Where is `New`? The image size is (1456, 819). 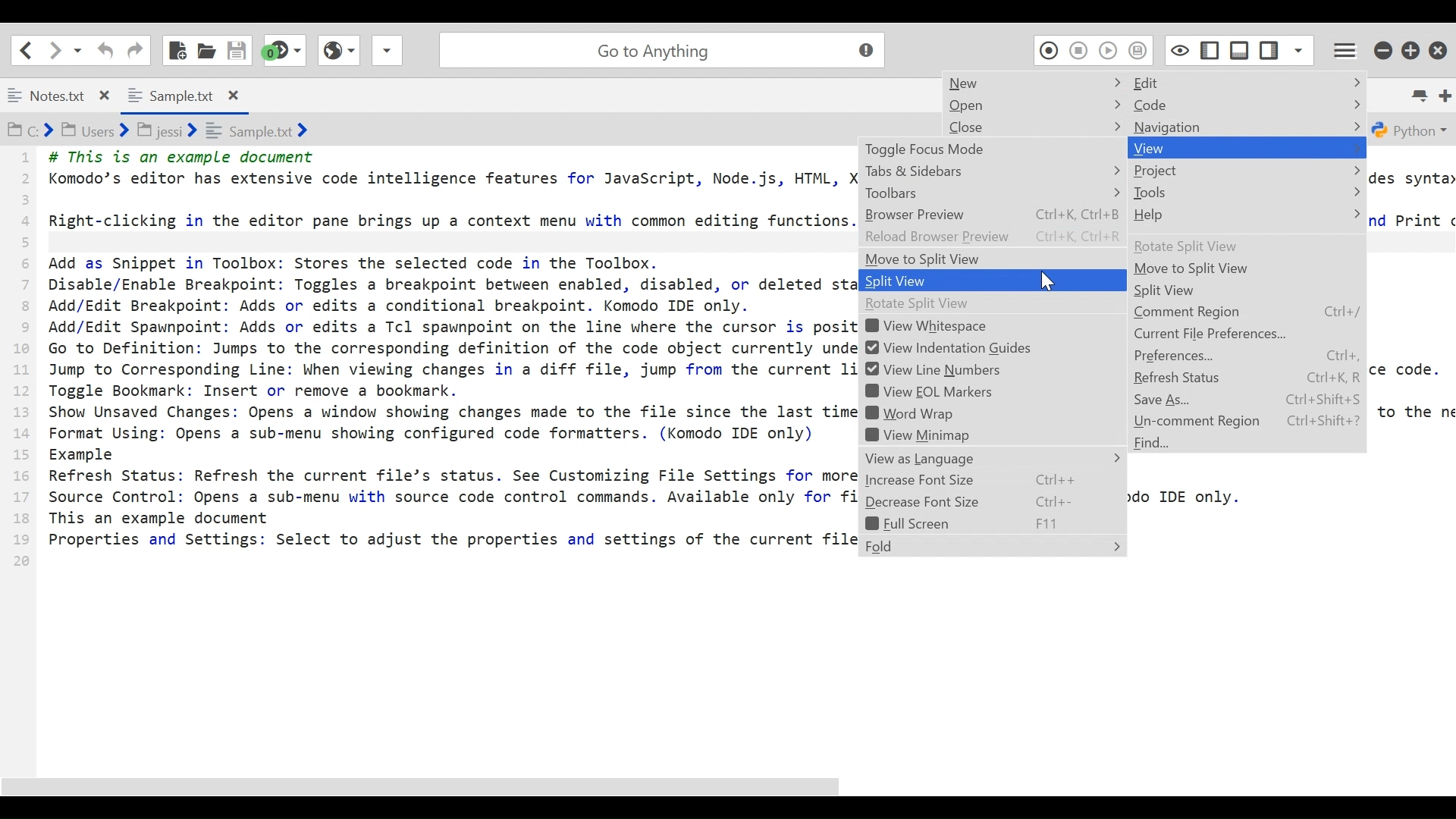 New is located at coordinates (1032, 83).